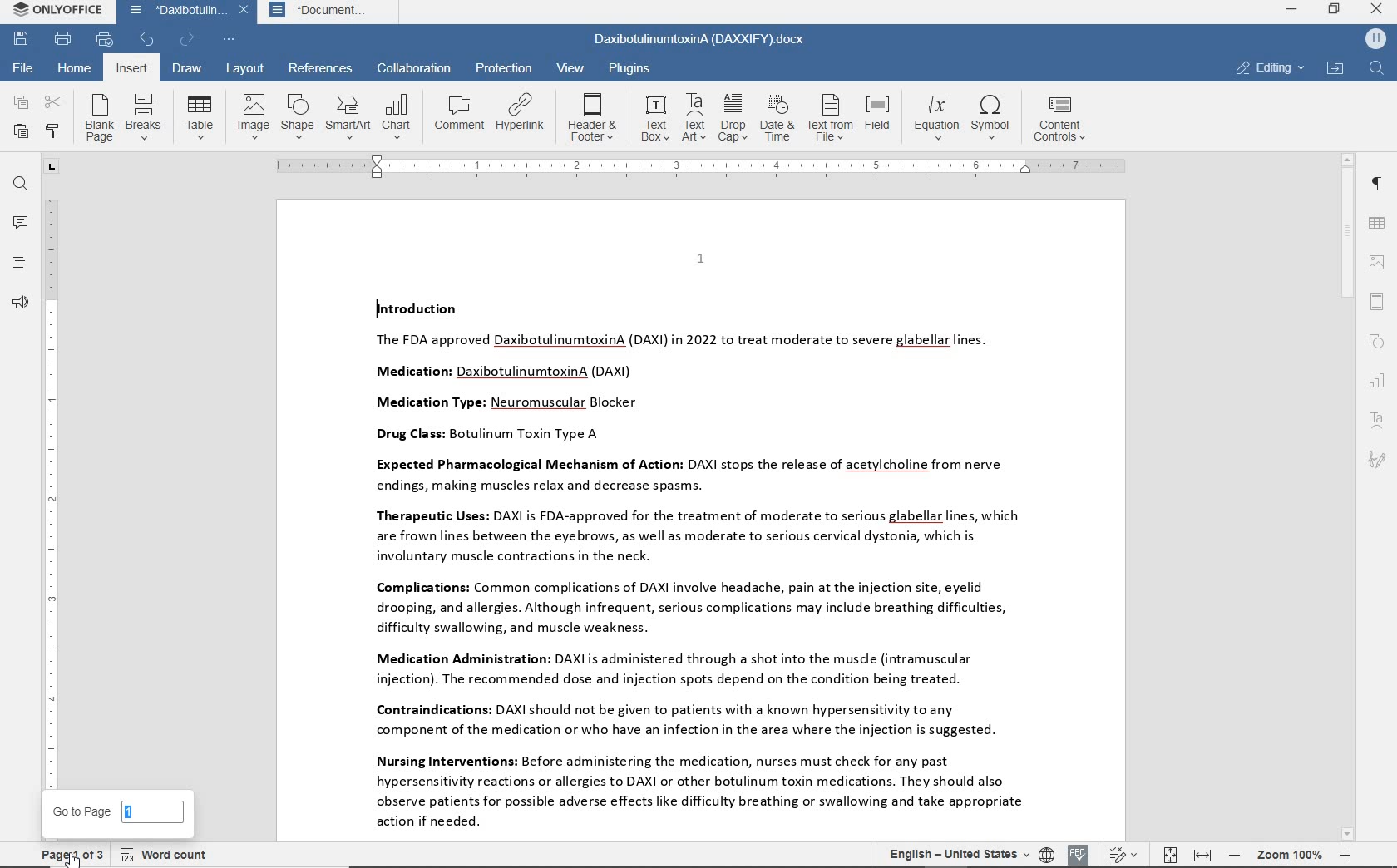 This screenshot has width=1397, height=868. Describe the element at coordinates (690, 565) in the screenshot. I see `Introduction

The FDA approved DaxibotulinumtoxinA (DAXI) in 2022 to treat moderate to severe glabellar lines.
Medication: DaxibotulinumtoxinA (DAXI)

Medication Type: Neuromuscular Blocker

Drug Class: Botulinum Toxin Type A

Expected Pharmacological Mechanism of Action: DAXI stops the release of acetylcholine from nerve
endings, making muscles relax and decrease spasms.

Therapeutic Uses: DAXI is FDA-approved for the treatment of moderate to serious glabellar lines, which
are frown lines between the eyebrows, as well as moderate to serious cervical dystonia, which is
involuntary muscle contractions in the neck.

Complications: Common complications of DAXI involve headache, pain at the injection site, eyelid
drooping, and allergies. Although infrequent, serious complications may include breathing difficulties,
difficulty swallowing, and muscle weakness.

Medication Administration: DAXI is administered through a shot into the muscle (intramuscular
injection). The recommended dose and injection spots depend on the condition being treated.
Contraindications: DAXI should not be given to patients with a known hypersensitivity to any
component of the medication or who have an infection in the area where the injection is suggested.
Nursing Interventions: Before administering the medication, nurses must check for any past
hypersensitivity reactions or allergies to DAXI or other botulinum toxin medications. They should also
observe patients for possible adverse effects like difficulty breathing or swallowing and take appropriate
action if needed.` at that location.